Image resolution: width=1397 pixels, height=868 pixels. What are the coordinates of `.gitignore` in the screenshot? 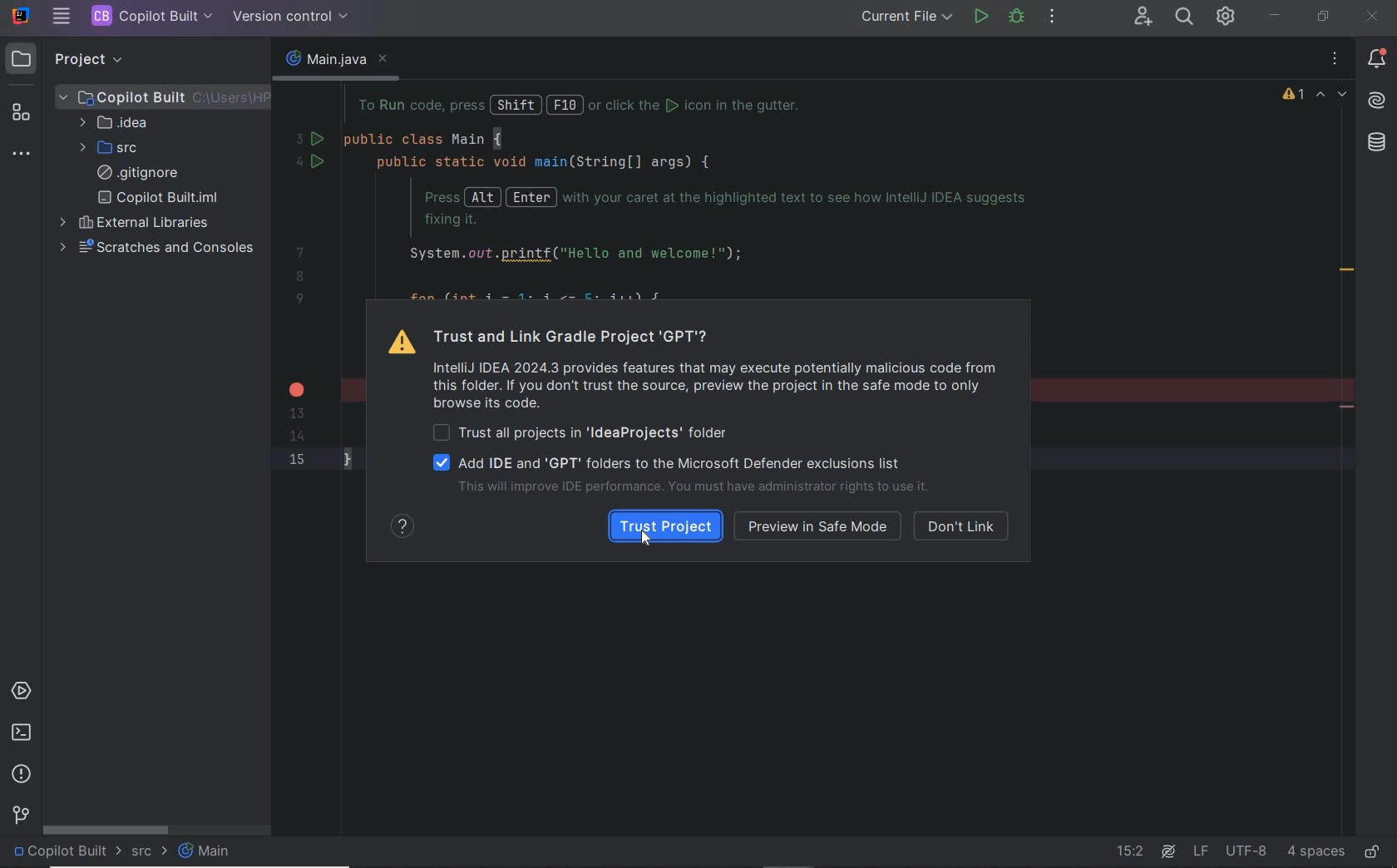 It's located at (134, 174).